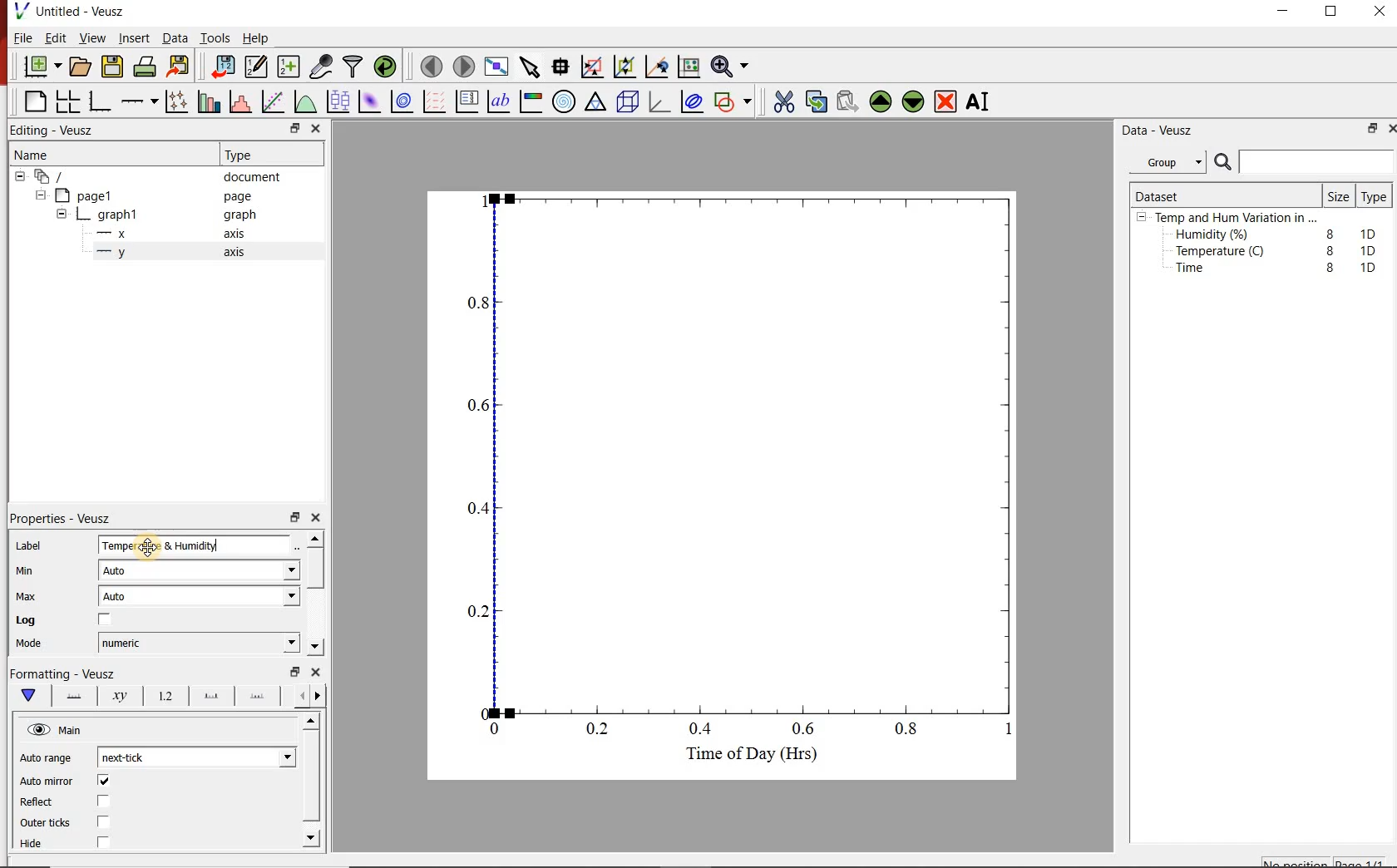 The height and width of the screenshot is (868, 1397). What do you see at coordinates (120, 234) in the screenshot?
I see `x` at bounding box center [120, 234].